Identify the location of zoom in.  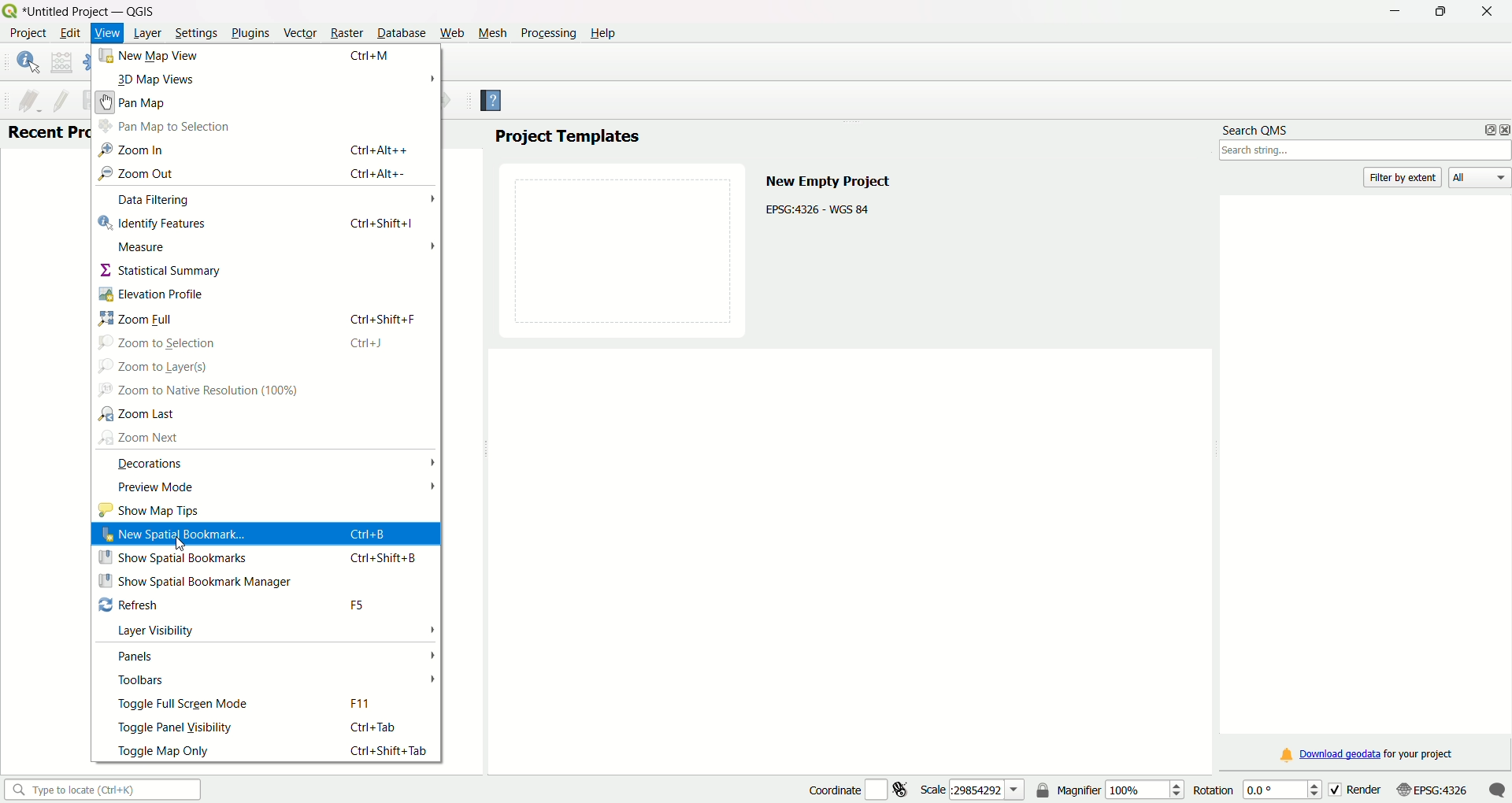
(129, 151).